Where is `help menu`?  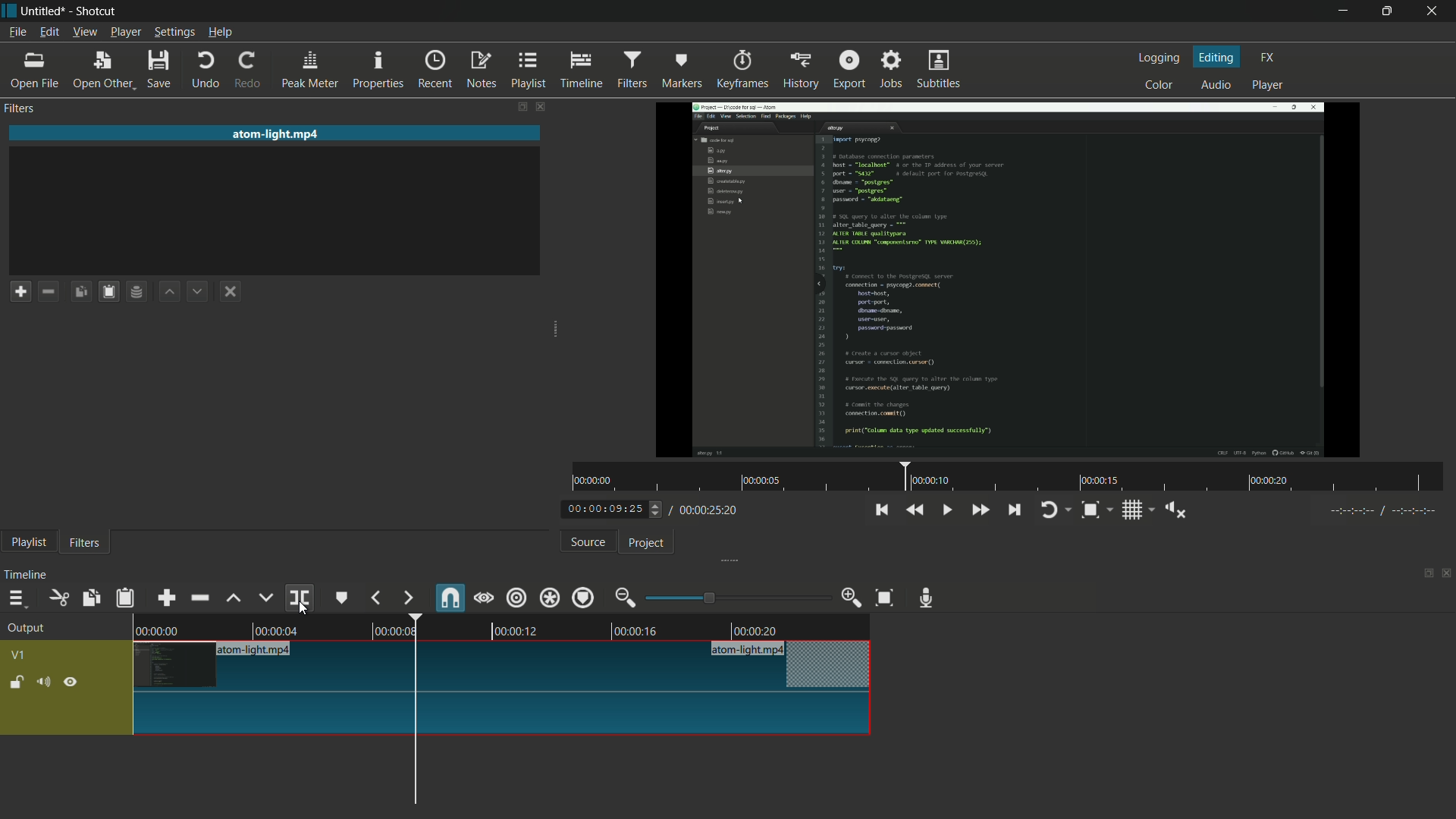
help menu is located at coordinates (220, 33).